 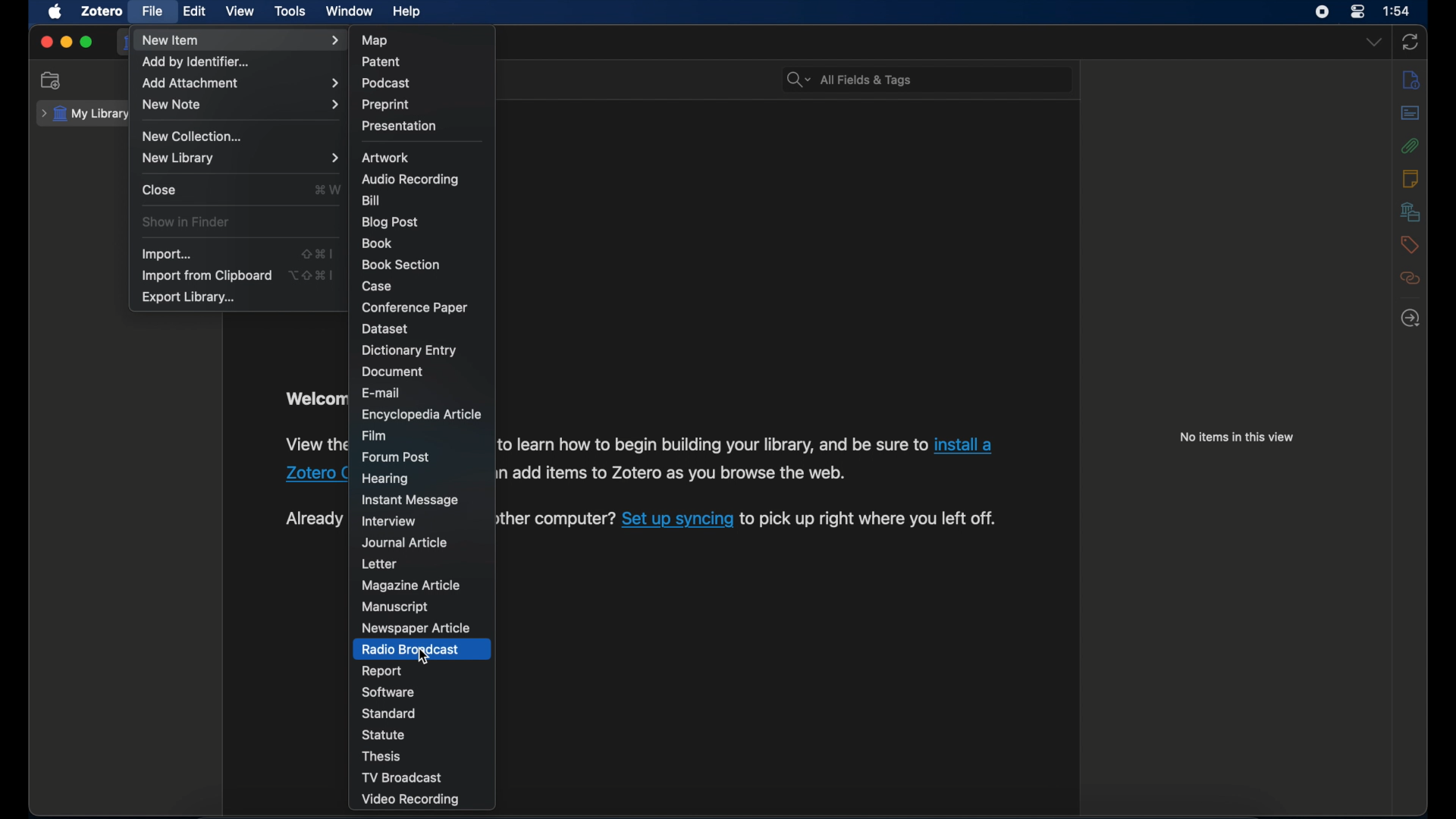 I want to click on dropdown, so click(x=1373, y=42).